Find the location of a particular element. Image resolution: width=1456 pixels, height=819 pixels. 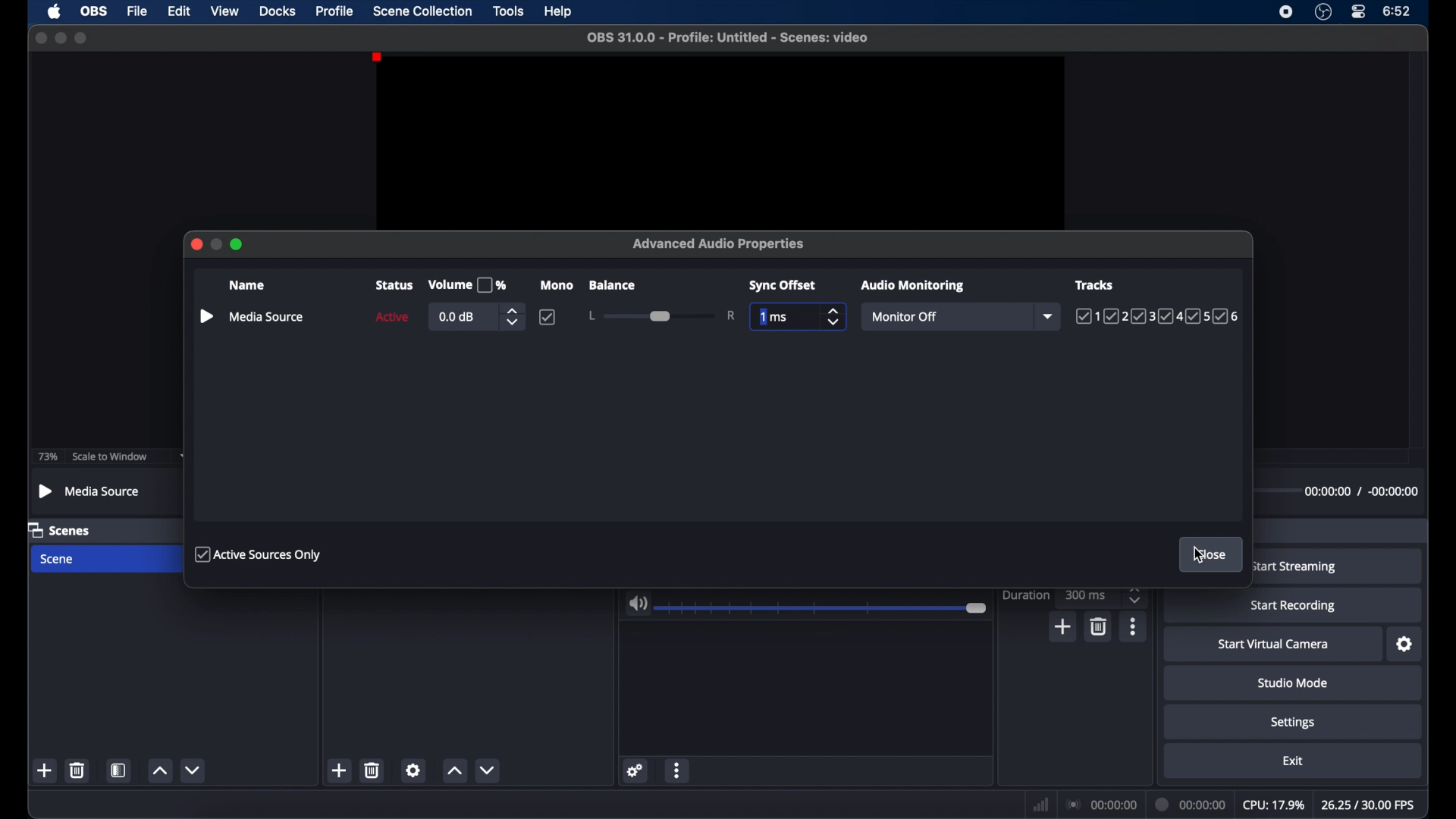

pause is located at coordinates (206, 316).